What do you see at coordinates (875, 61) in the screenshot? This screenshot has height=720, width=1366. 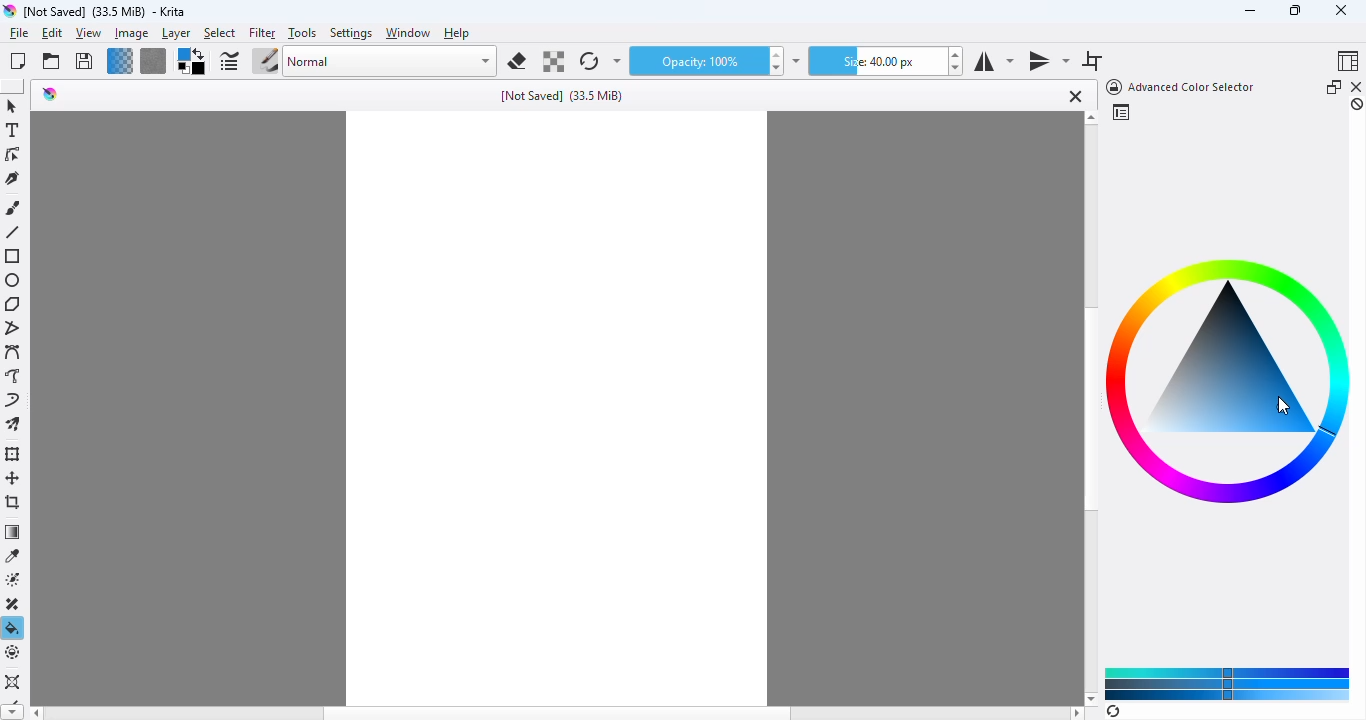 I see `size` at bounding box center [875, 61].